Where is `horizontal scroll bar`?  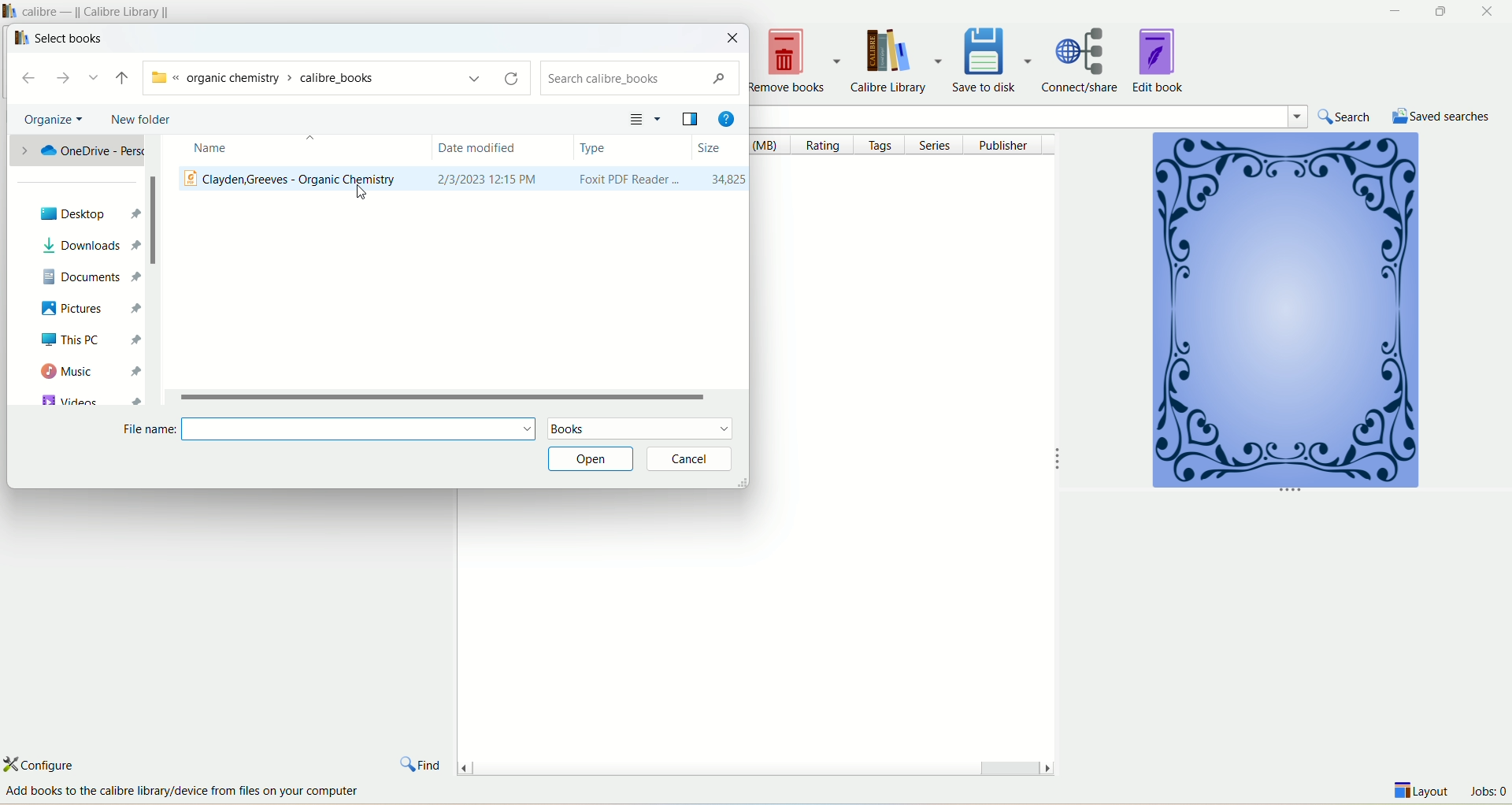 horizontal scroll bar is located at coordinates (459, 395).